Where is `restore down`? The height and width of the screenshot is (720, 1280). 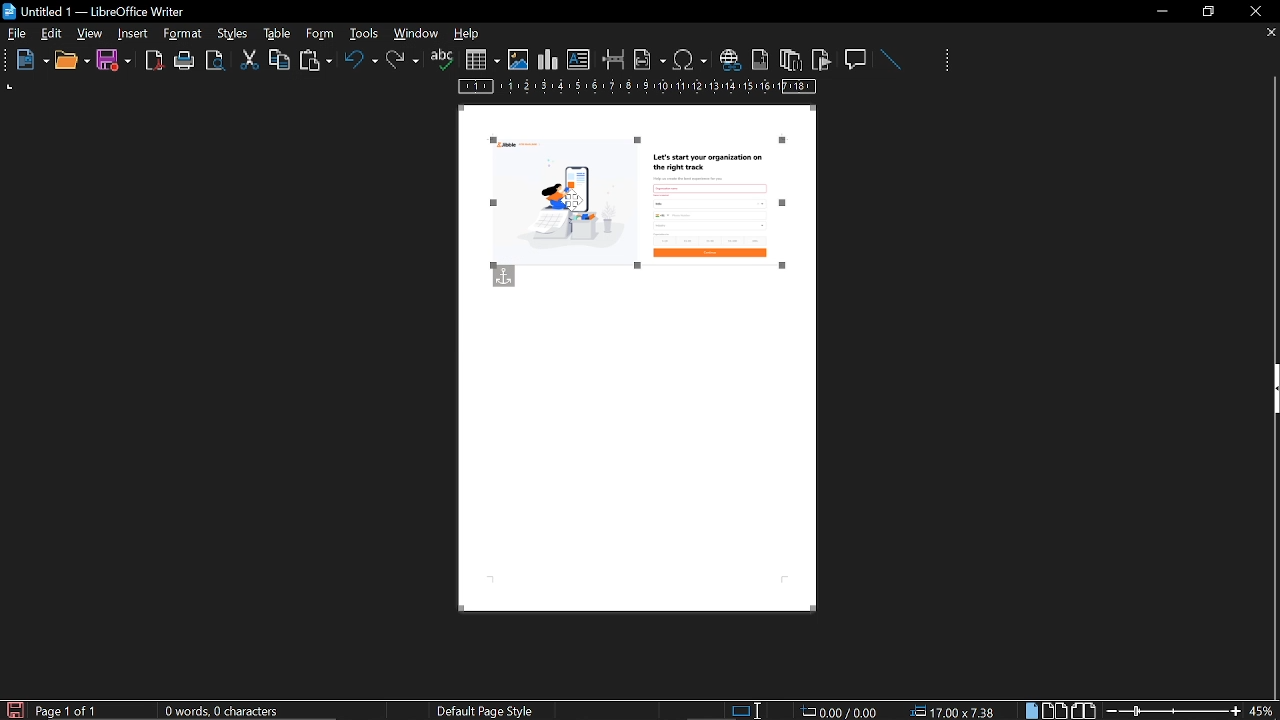
restore down is located at coordinates (1211, 11).